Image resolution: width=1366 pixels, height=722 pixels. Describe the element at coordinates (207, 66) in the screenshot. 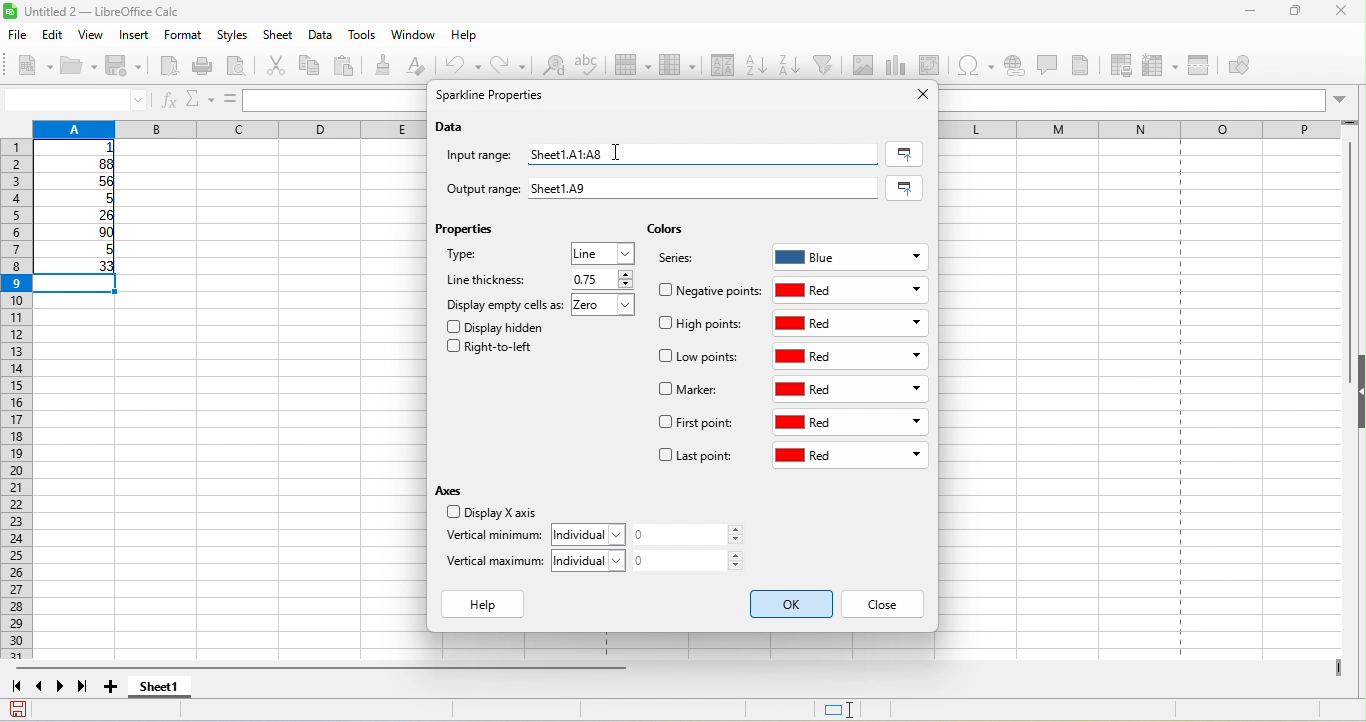

I see `print` at that location.